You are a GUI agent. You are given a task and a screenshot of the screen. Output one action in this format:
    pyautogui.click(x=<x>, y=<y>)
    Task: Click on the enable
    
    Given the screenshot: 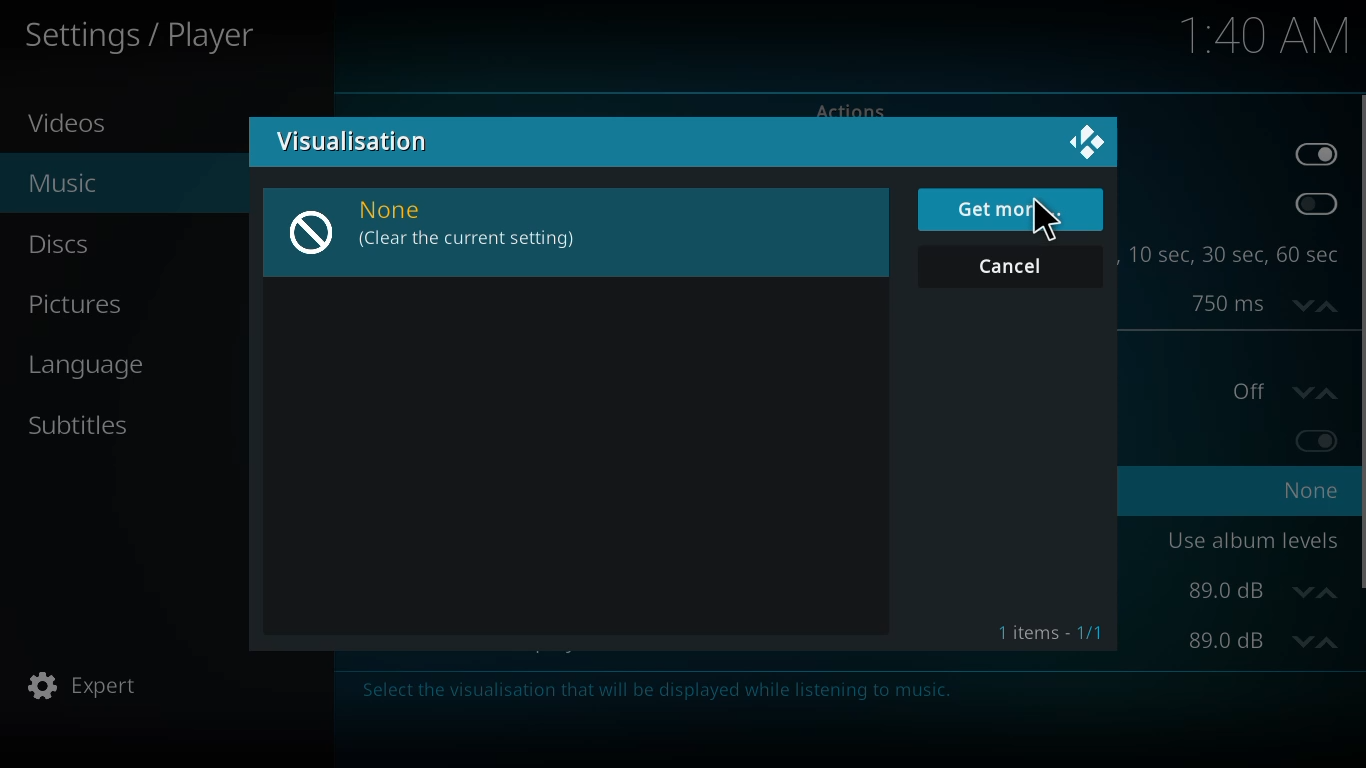 What is the action you would take?
    pyautogui.click(x=1318, y=439)
    